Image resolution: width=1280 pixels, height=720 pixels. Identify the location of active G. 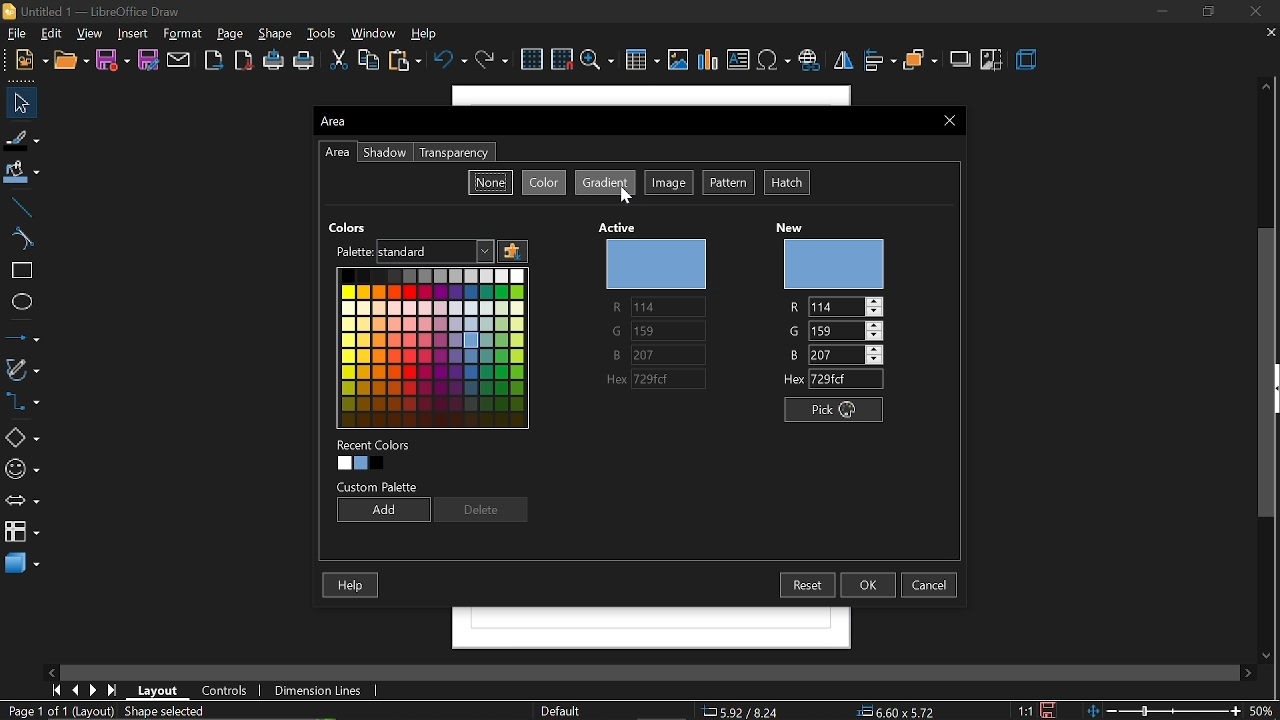
(654, 332).